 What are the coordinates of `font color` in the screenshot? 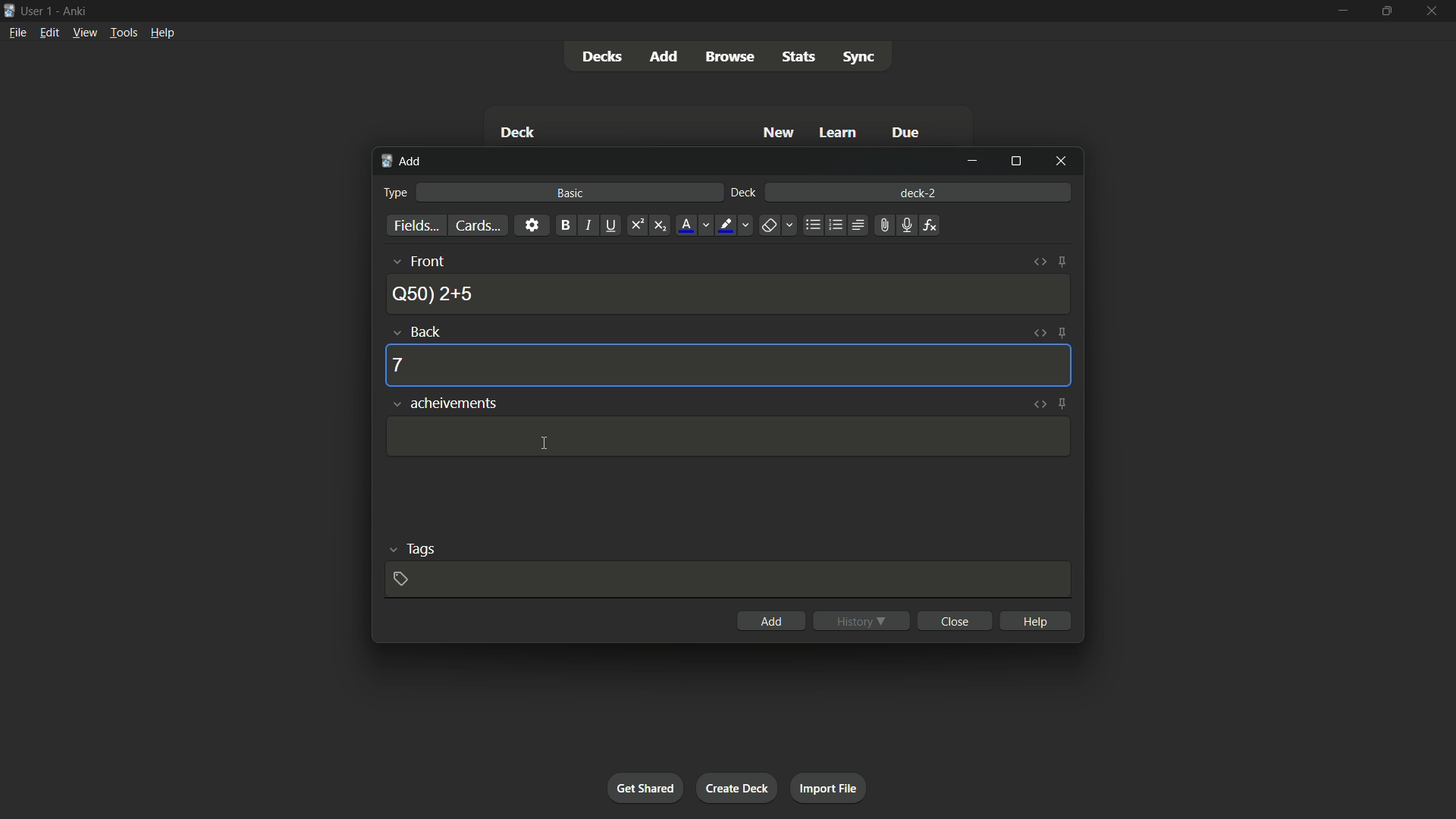 It's located at (695, 226).